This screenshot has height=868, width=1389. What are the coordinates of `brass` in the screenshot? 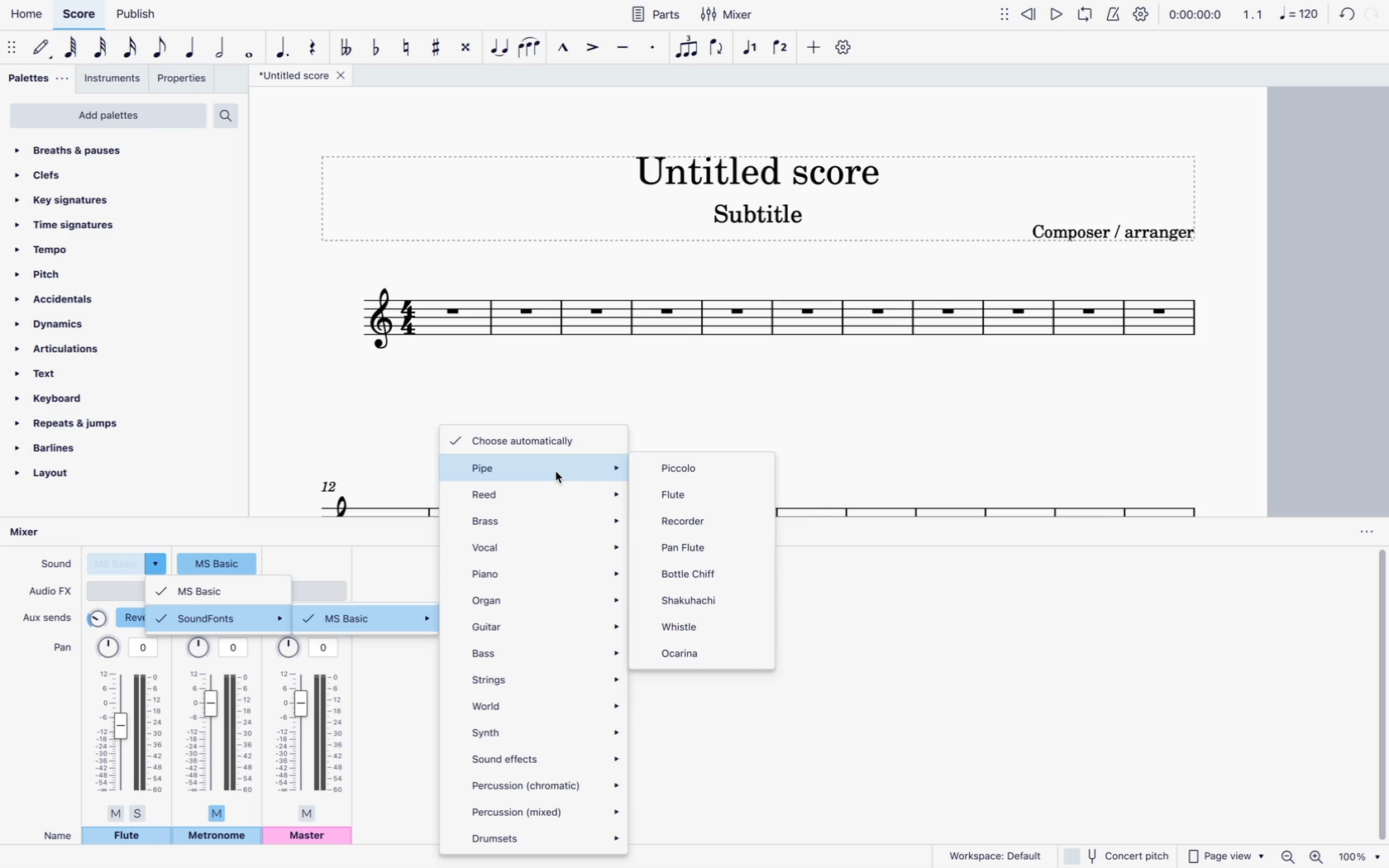 It's located at (546, 517).